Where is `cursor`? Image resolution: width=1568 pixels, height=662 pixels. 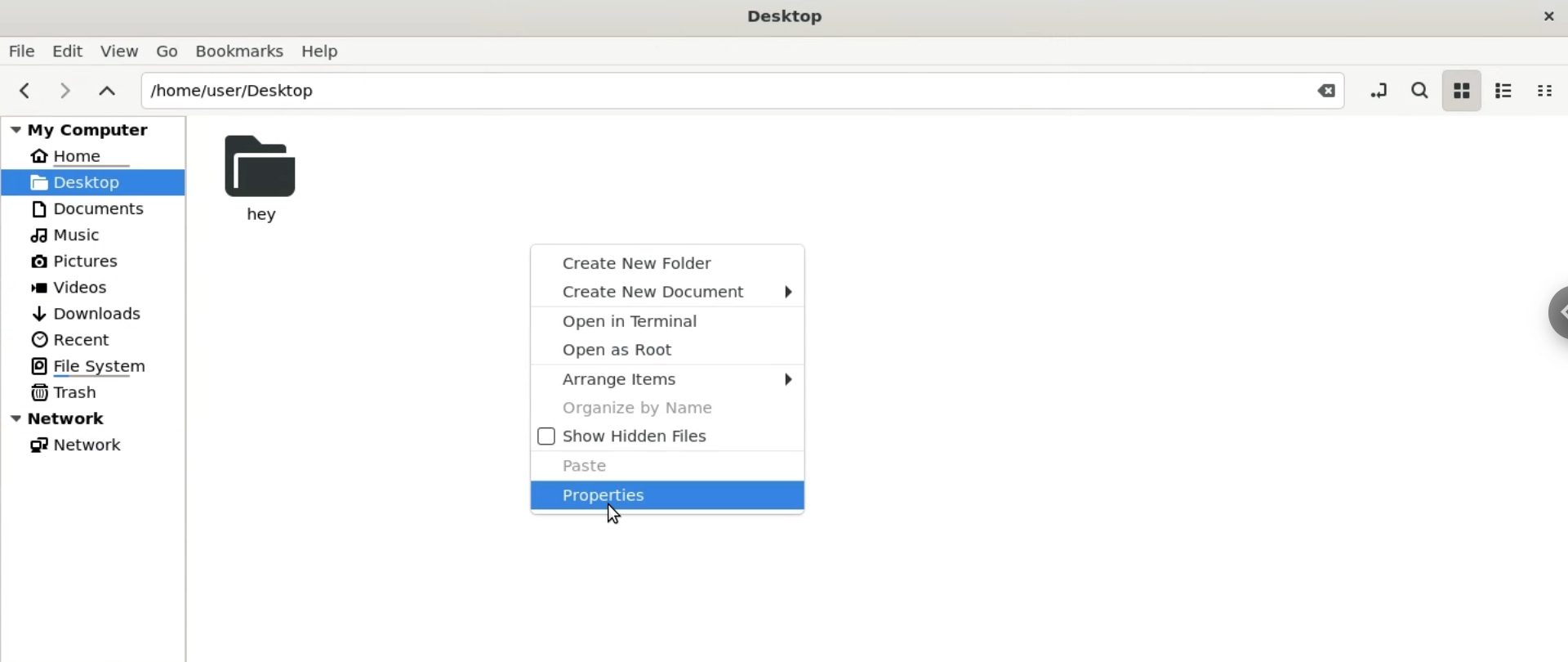 cursor is located at coordinates (626, 521).